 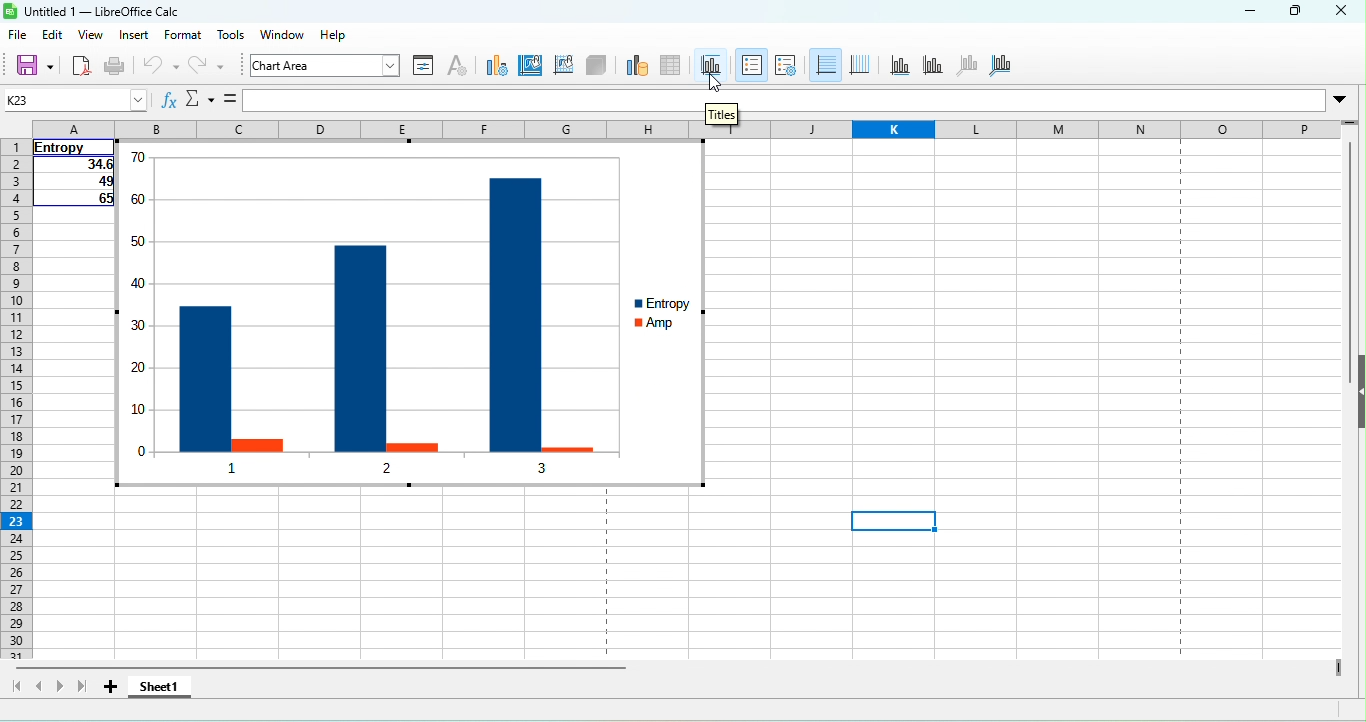 What do you see at coordinates (204, 378) in the screenshot?
I see `entropy 1` at bounding box center [204, 378].